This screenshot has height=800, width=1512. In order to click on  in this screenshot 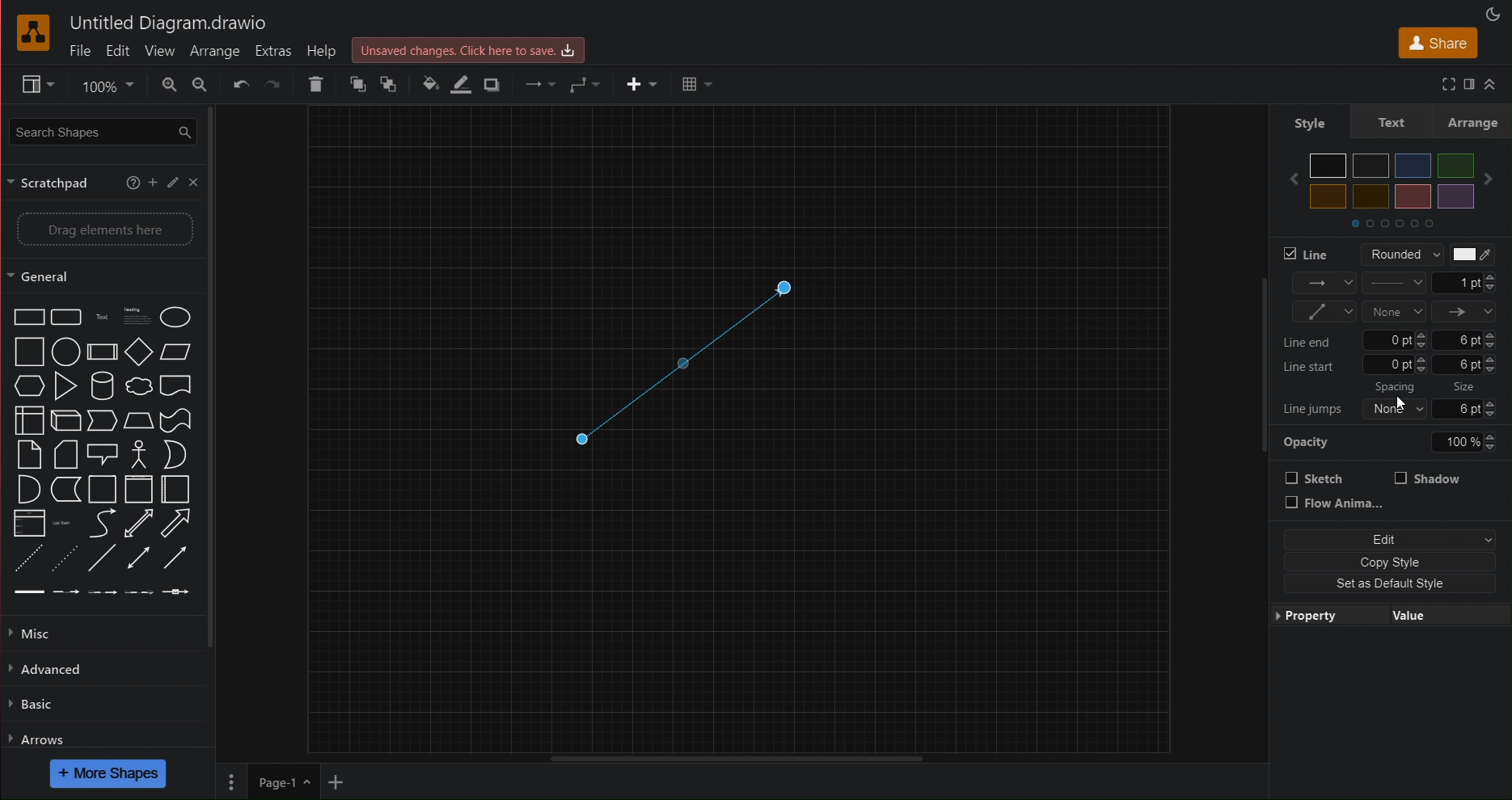, I will do `click(1442, 82)`.